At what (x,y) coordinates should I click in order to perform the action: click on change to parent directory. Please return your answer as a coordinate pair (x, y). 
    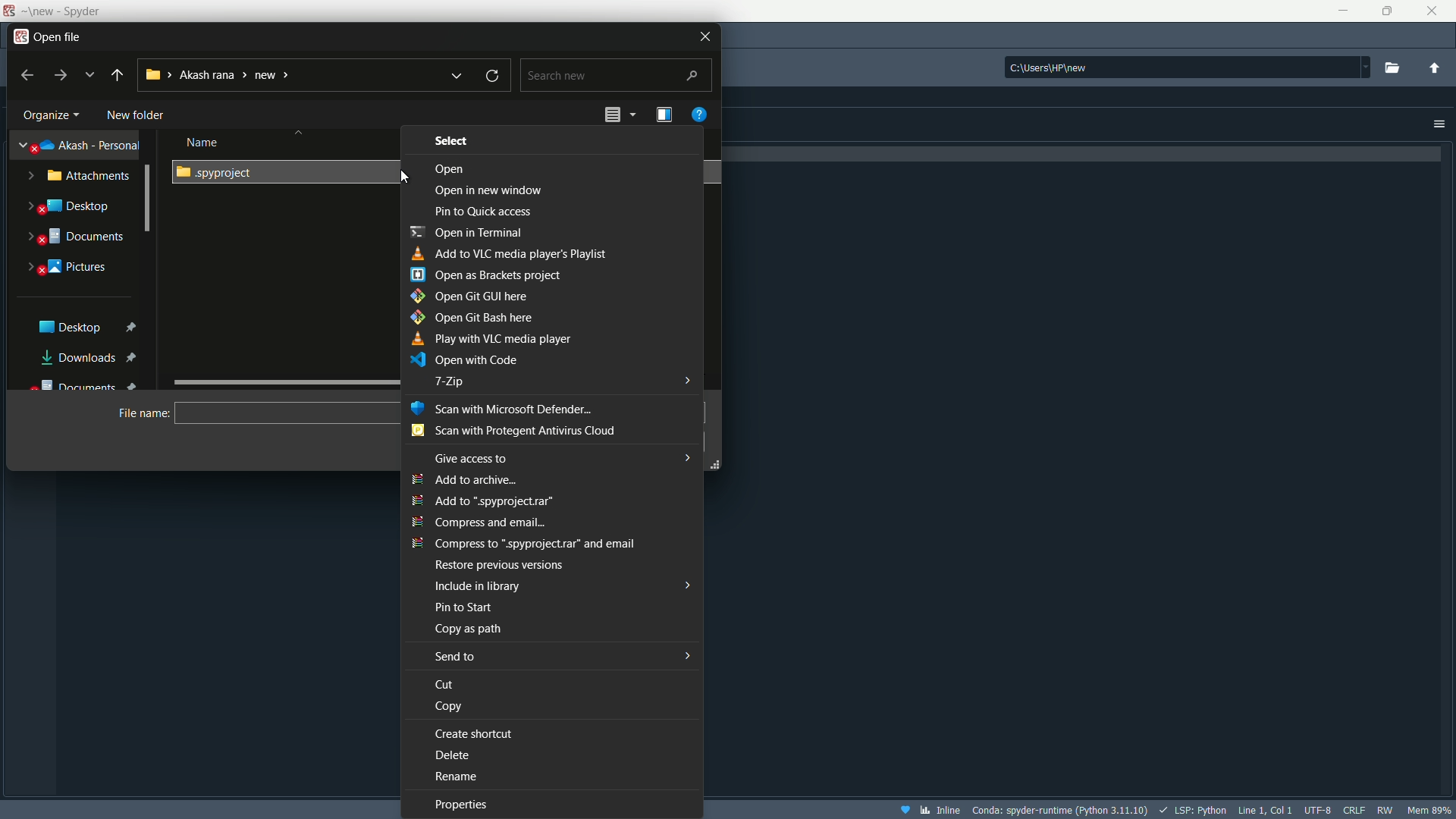
    Looking at the image, I should click on (1437, 67).